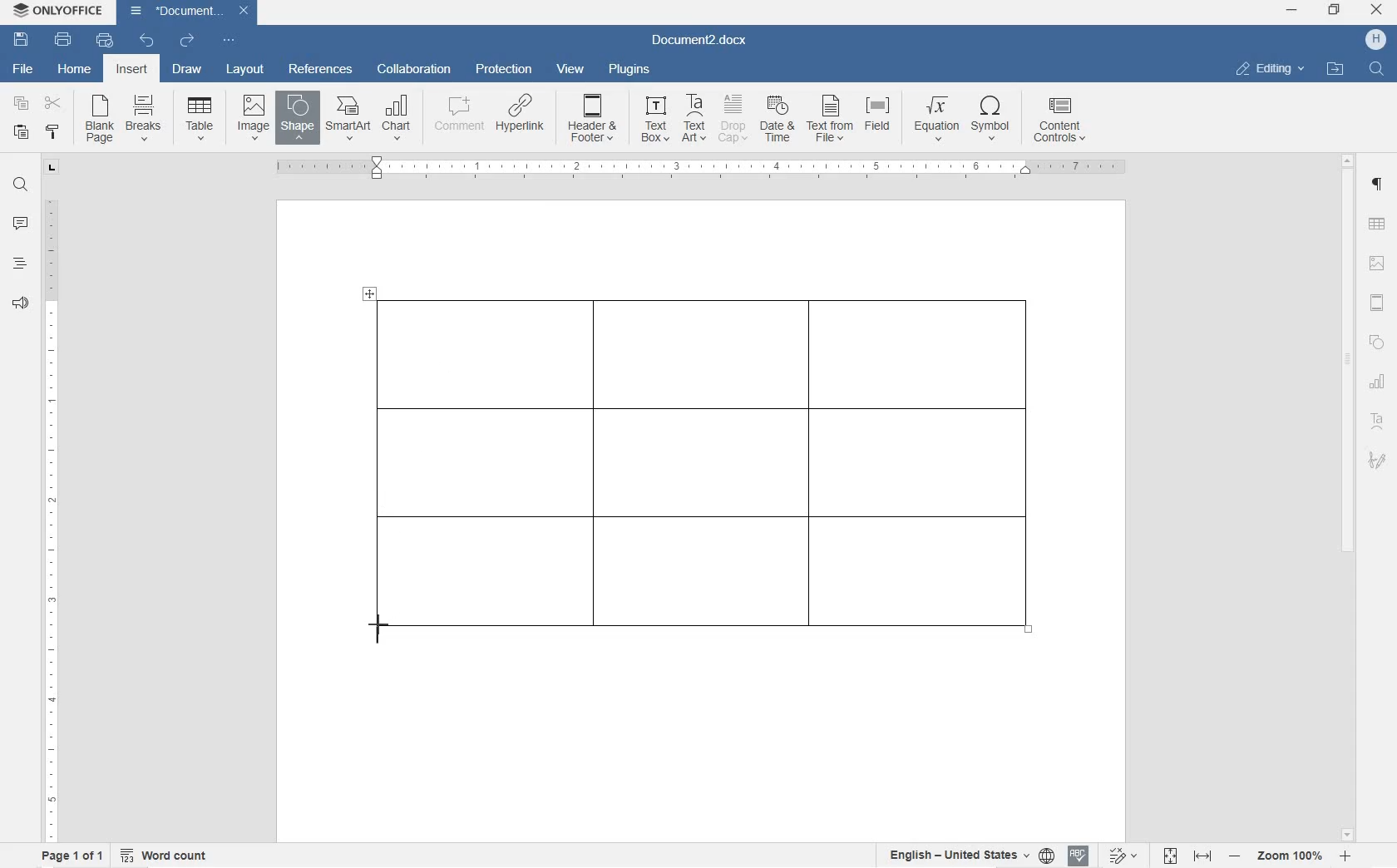  Describe the element at coordinates (414, 70) in the screenshot. I see `collaboration` at that location.